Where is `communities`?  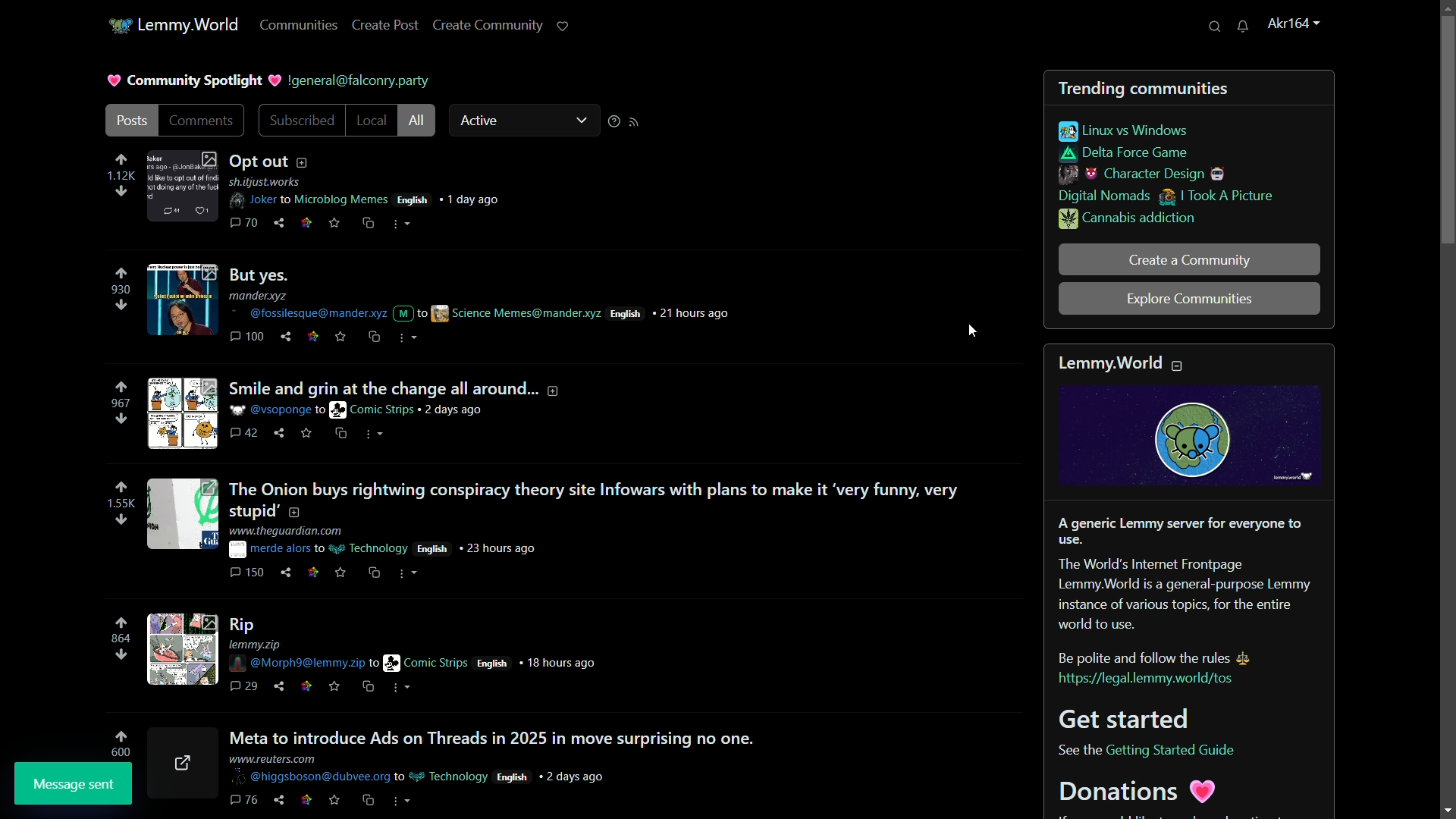 communities is located at coordinates (299, 27).